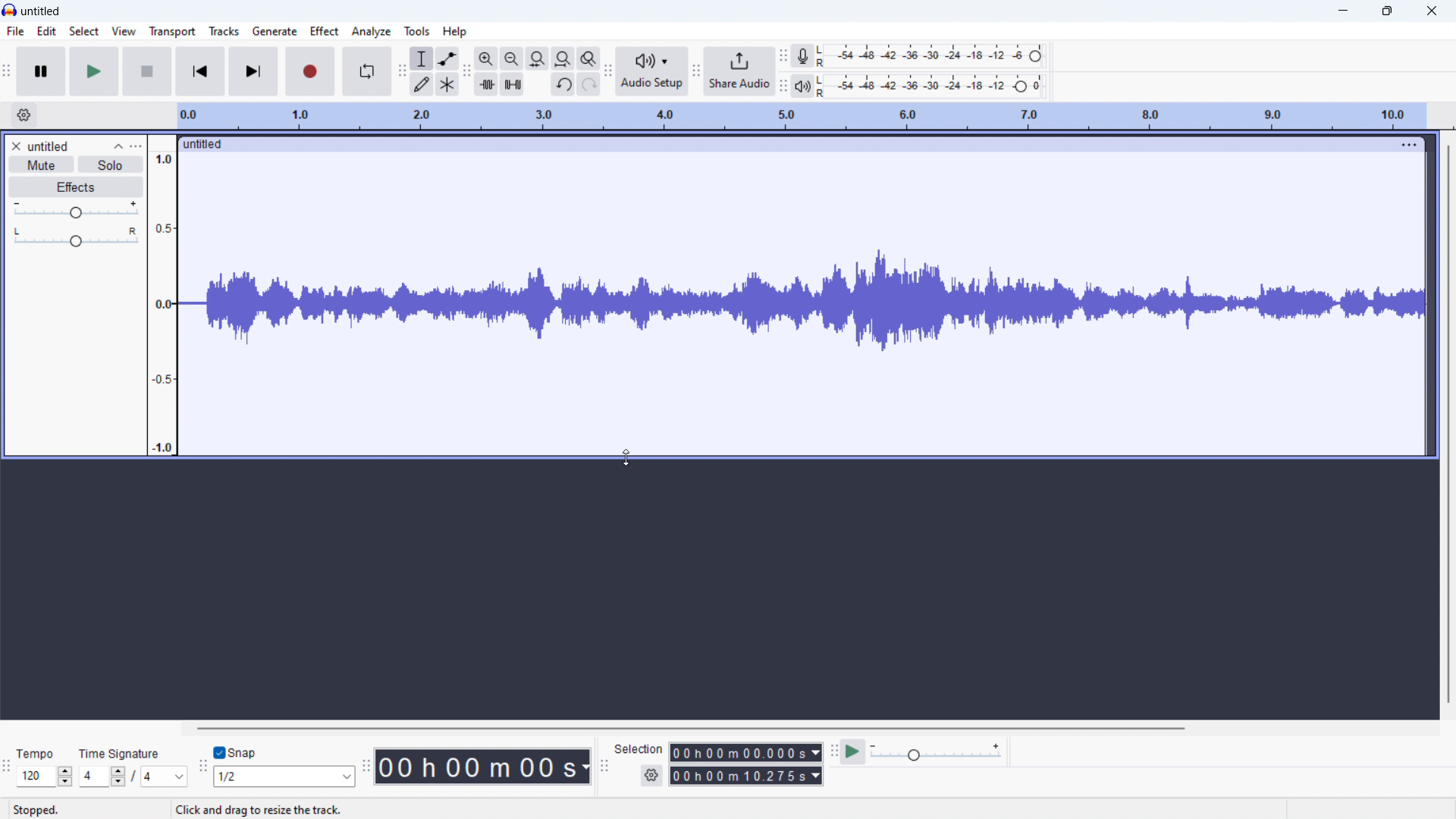  What do you see at coordinates (447, 58) in the screenshot?
I see `envelop tool` at bounding box center [447, 58].